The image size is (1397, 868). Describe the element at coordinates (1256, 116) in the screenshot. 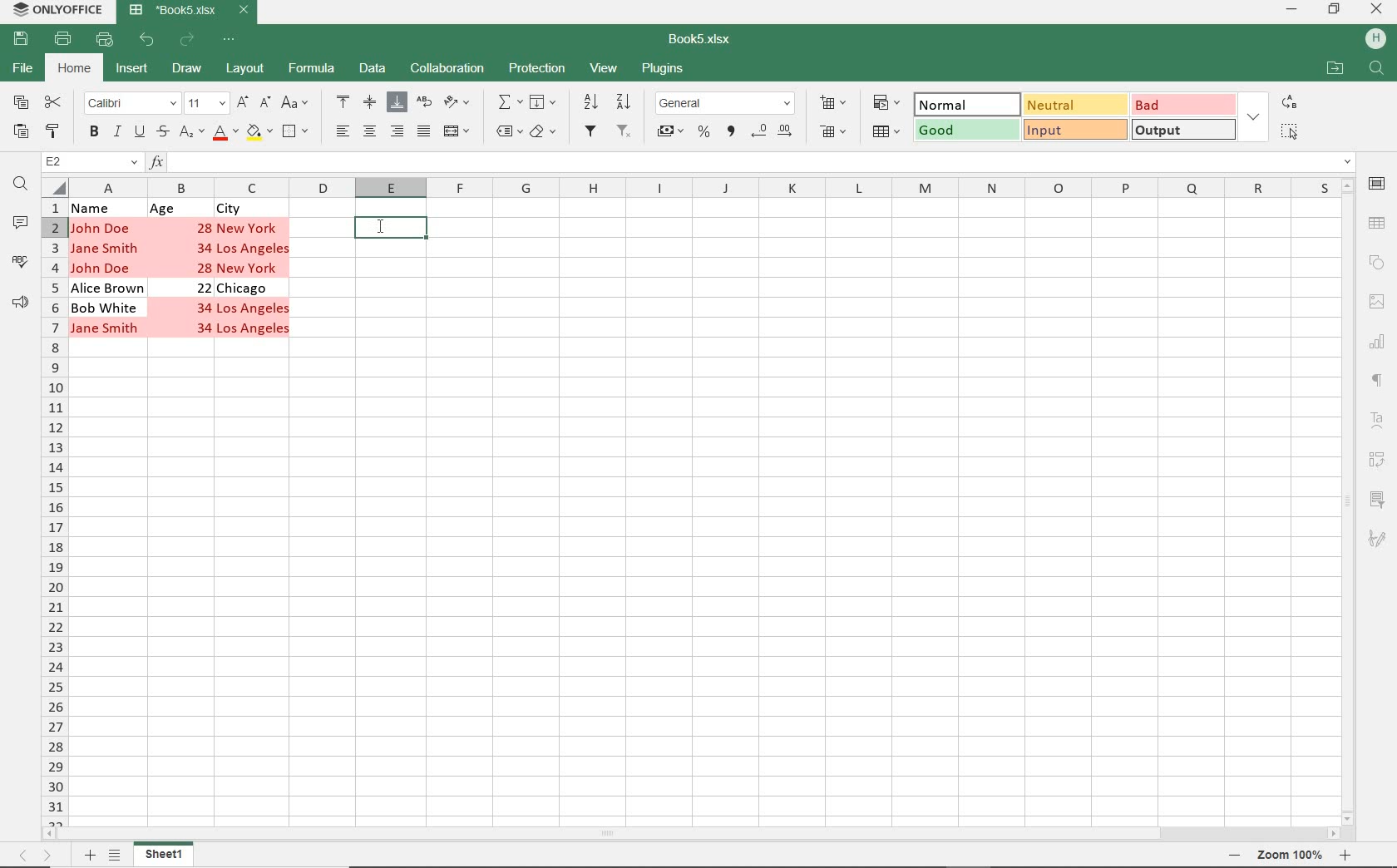

I see `EXPAND` at that location.